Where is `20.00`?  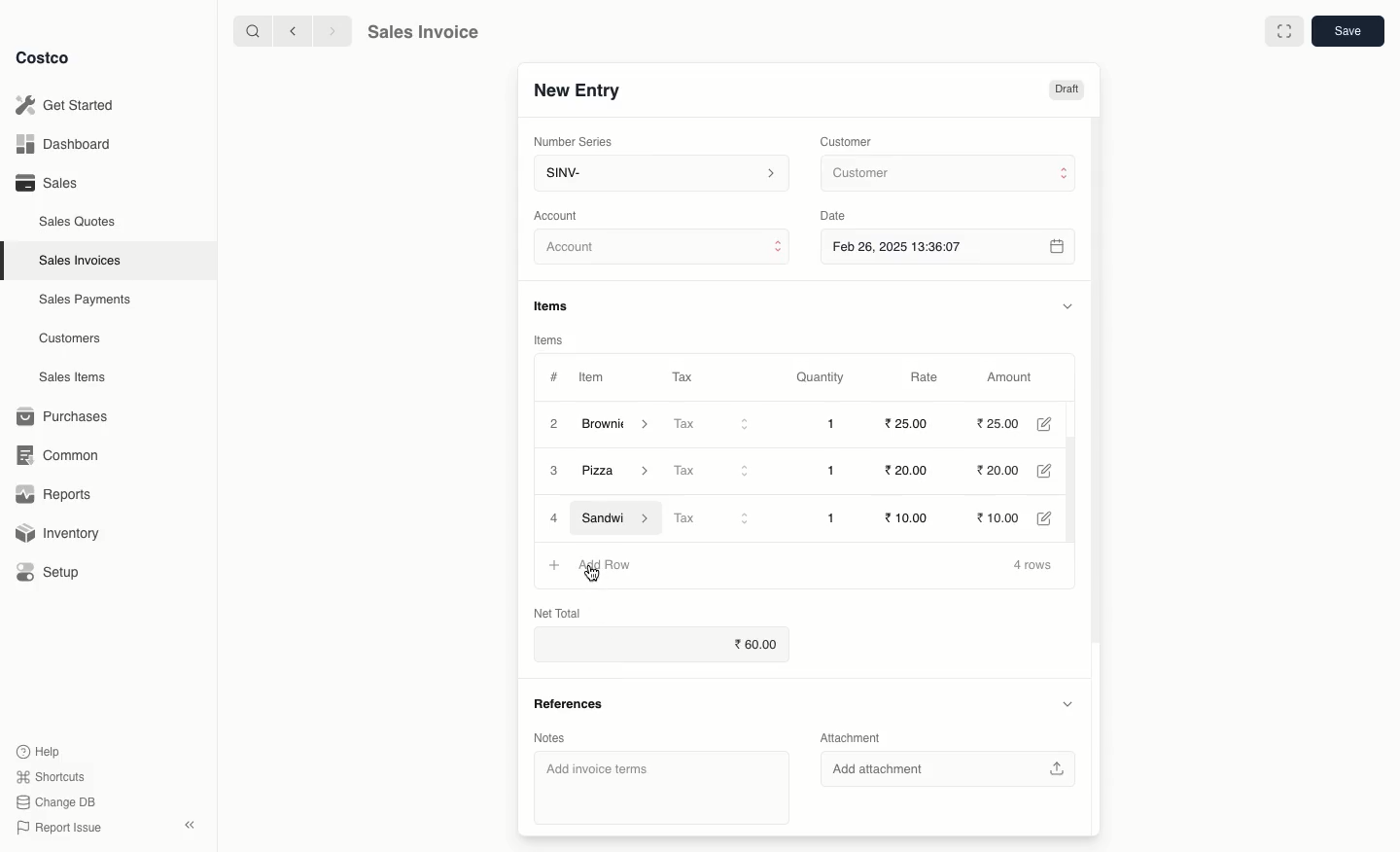
20.00 is located at coordinates (1007, 472).